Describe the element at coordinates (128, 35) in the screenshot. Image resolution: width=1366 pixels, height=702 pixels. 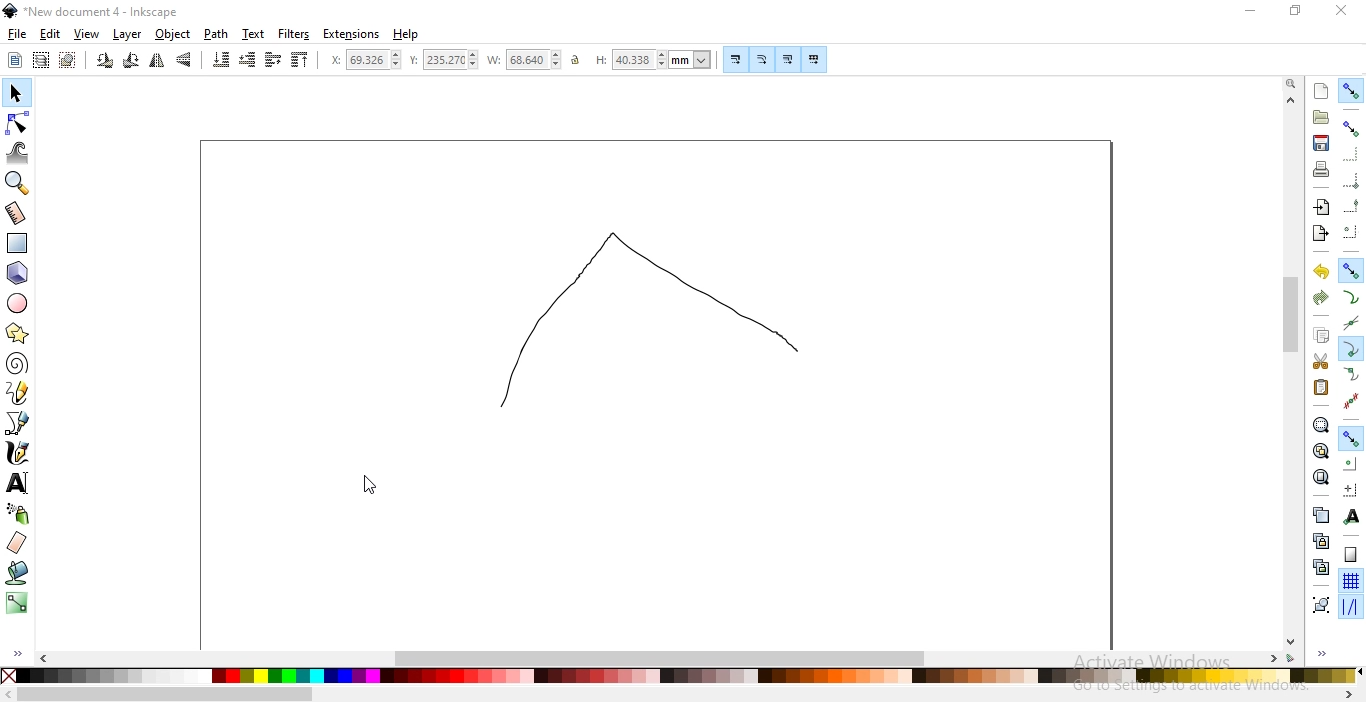
I see `layer` at that location.